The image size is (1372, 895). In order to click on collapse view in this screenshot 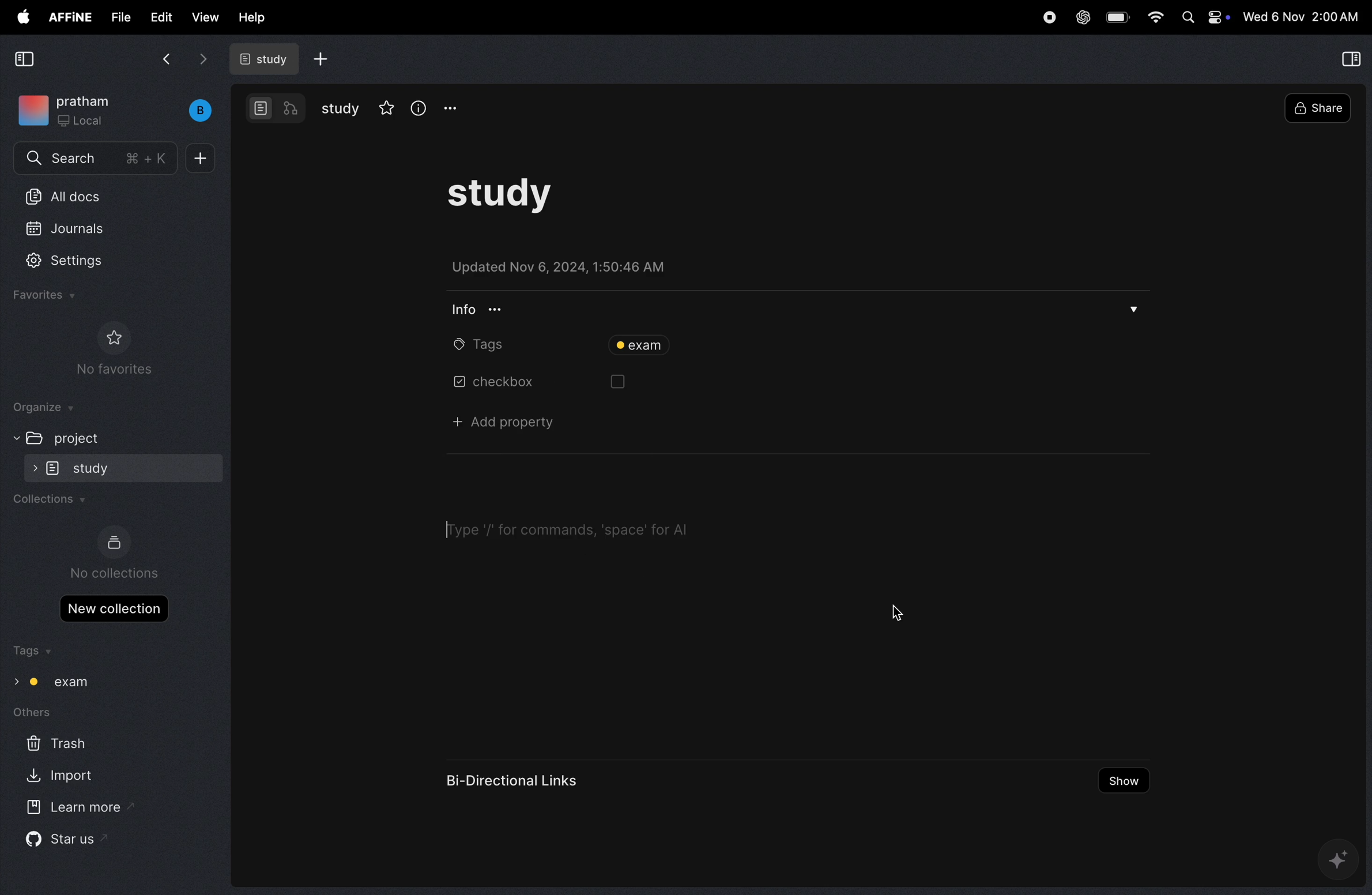, I will do `click(24, 59)`.